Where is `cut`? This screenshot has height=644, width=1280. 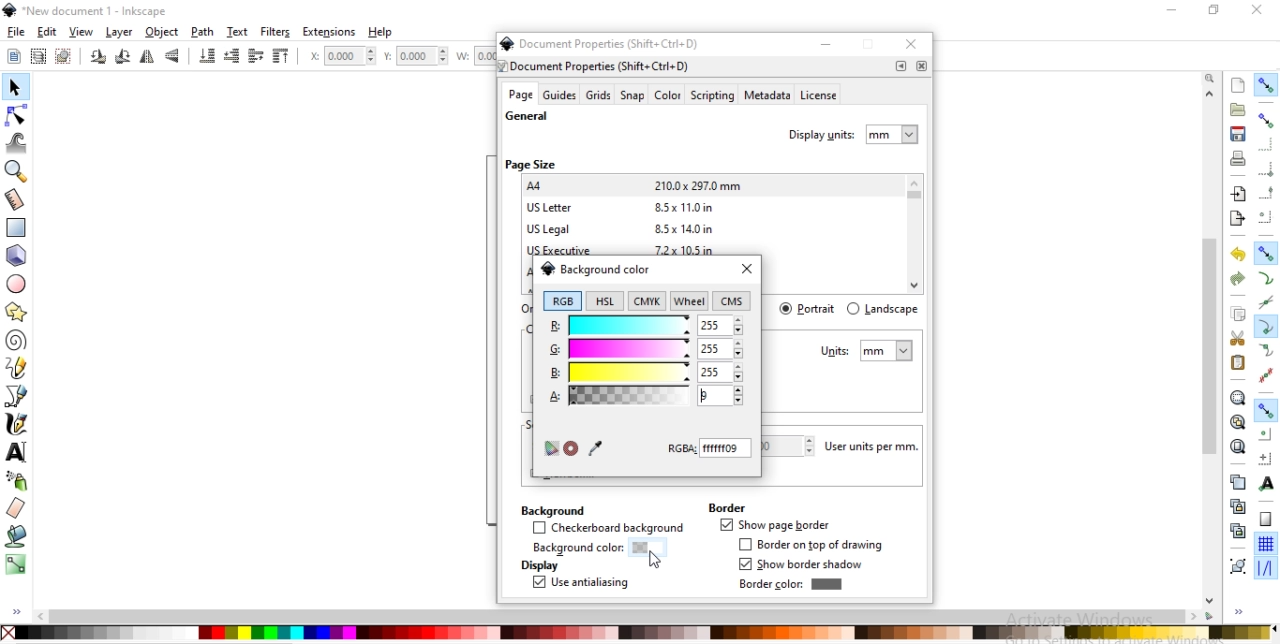
cut is located at coordinates (1238, 337).